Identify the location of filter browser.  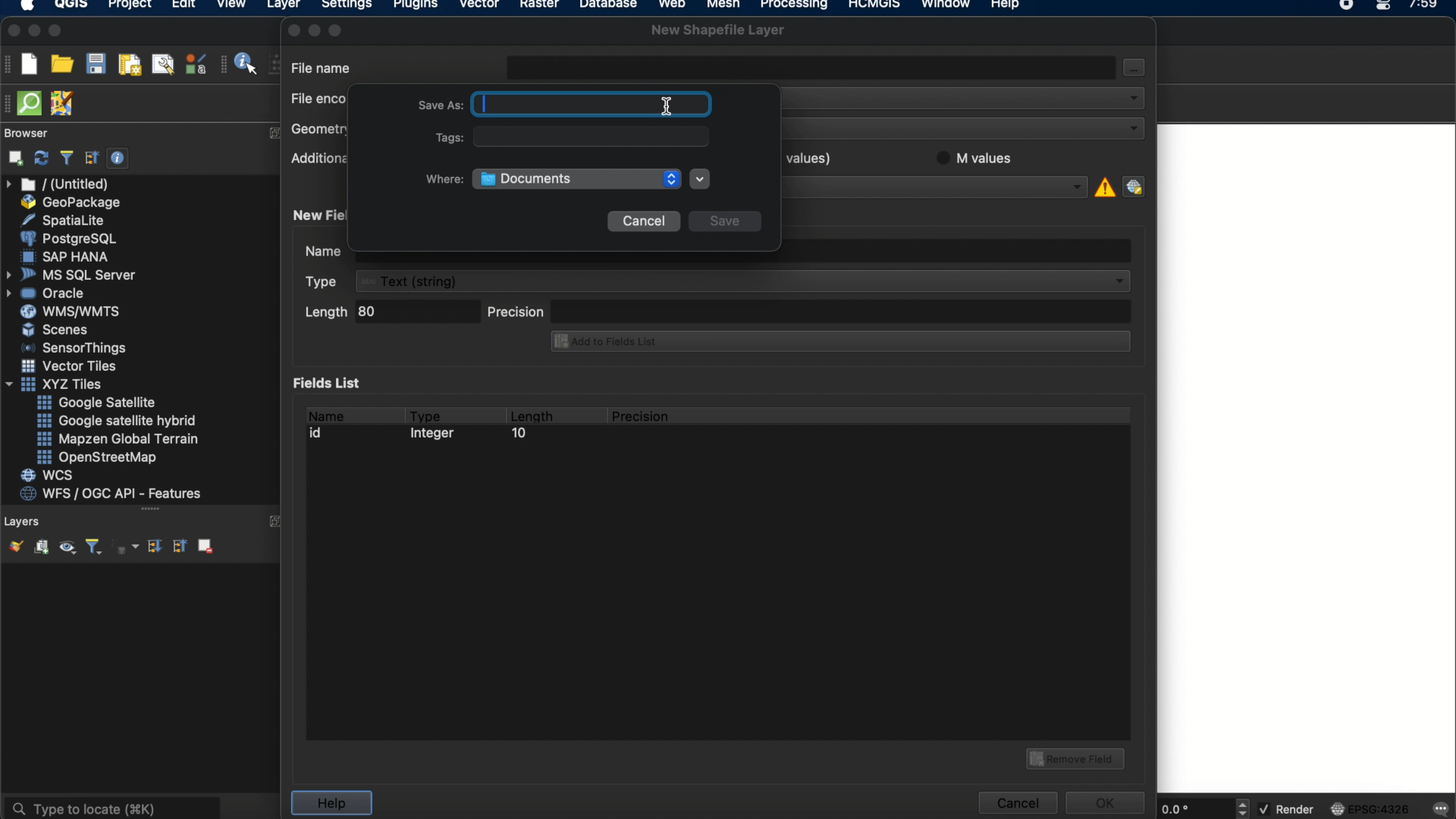
(66, 158).